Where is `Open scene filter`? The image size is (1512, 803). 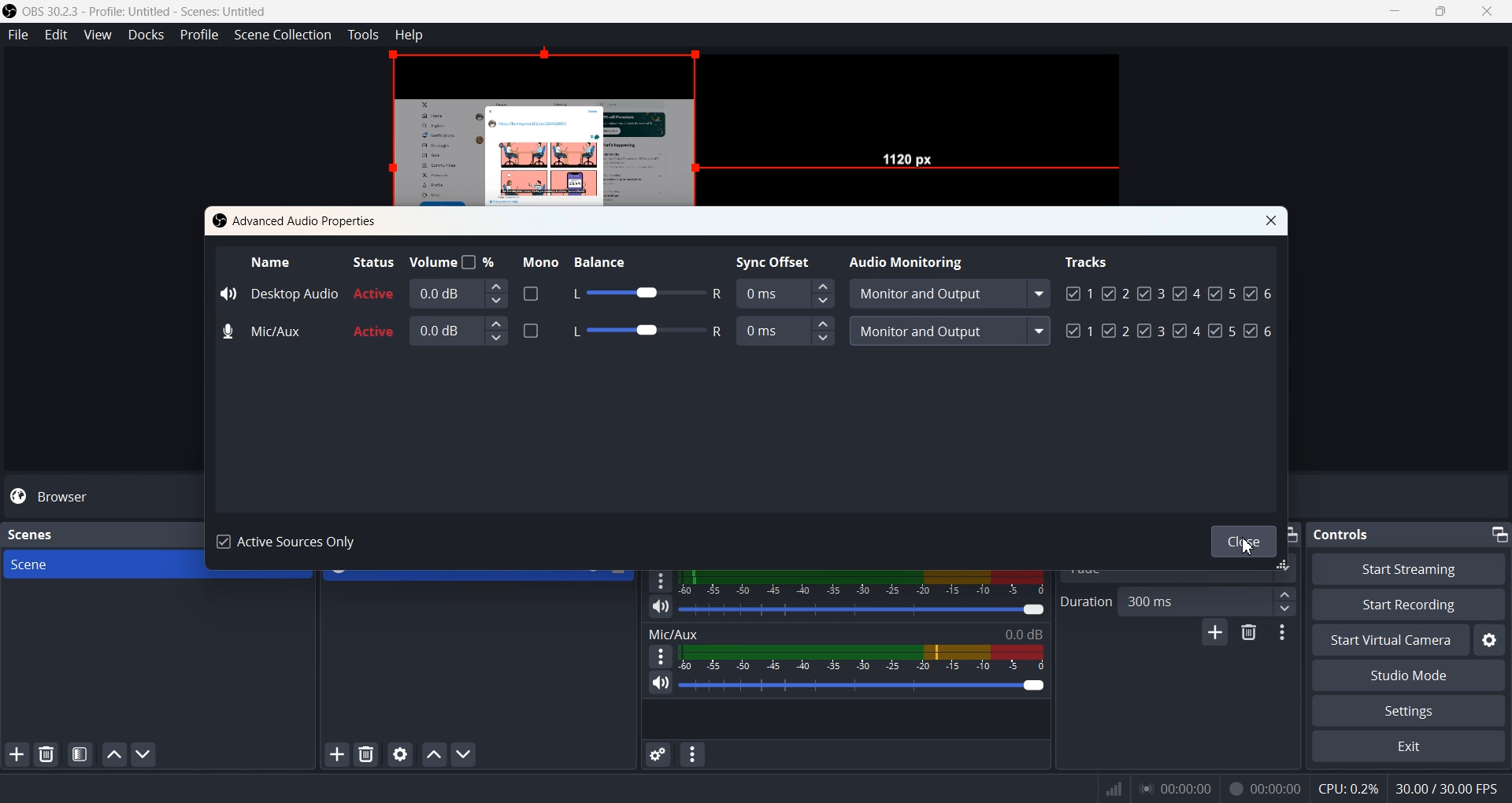 Open scene filter is located at coordinates (80, 756).